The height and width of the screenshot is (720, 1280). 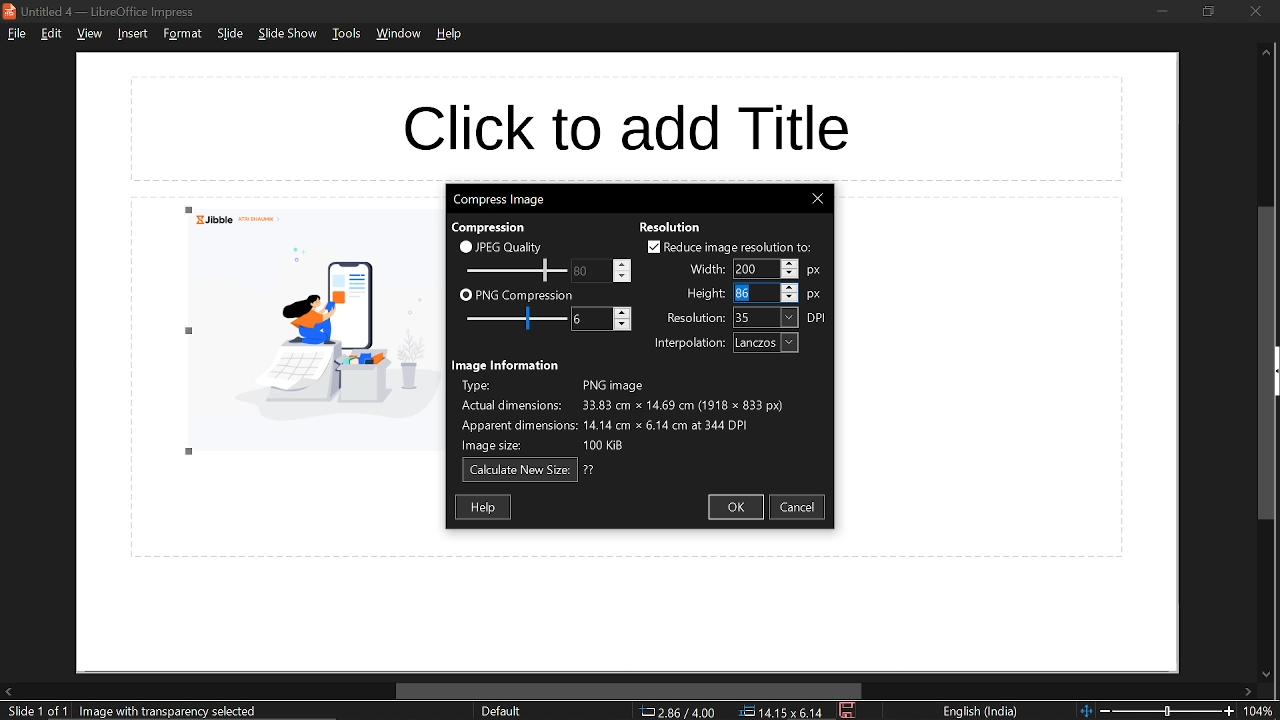 What do you see at coordinates (506, 246) in the screenshot?
I see `JPEG quality` at bounding box center [506, 246].